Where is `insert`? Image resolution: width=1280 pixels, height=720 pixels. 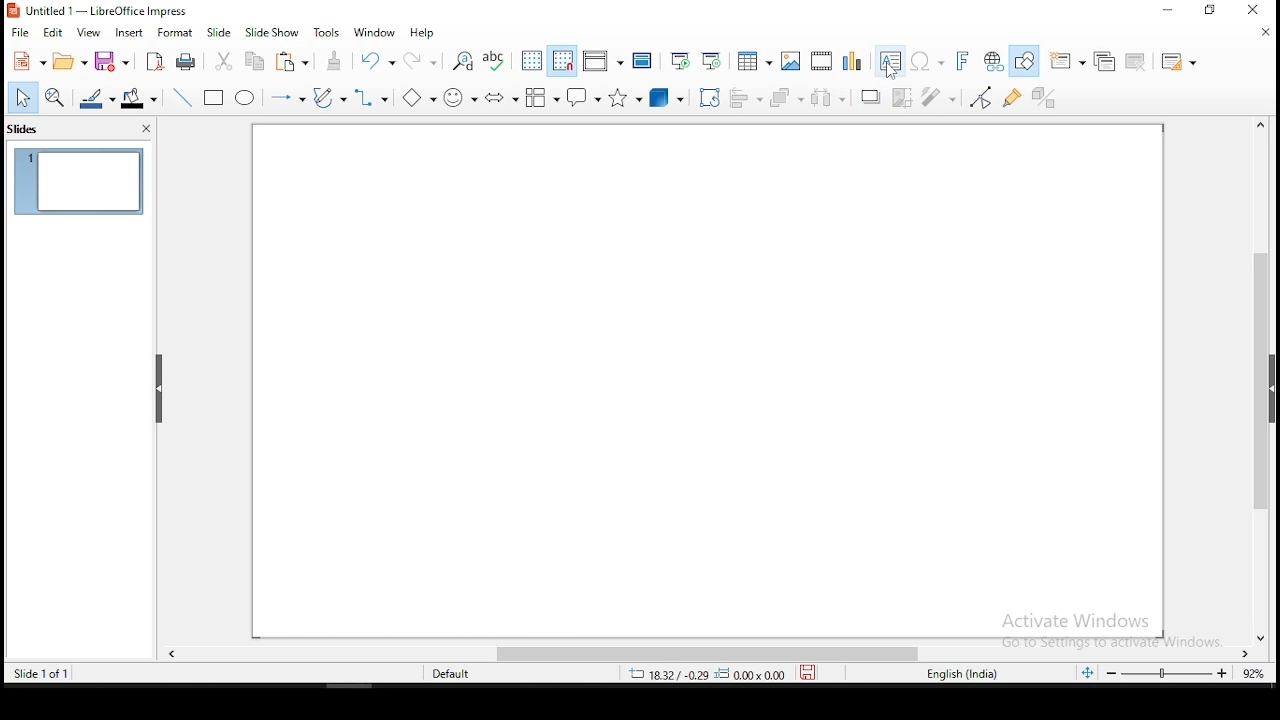
insert is located at coordinates (128, 34).